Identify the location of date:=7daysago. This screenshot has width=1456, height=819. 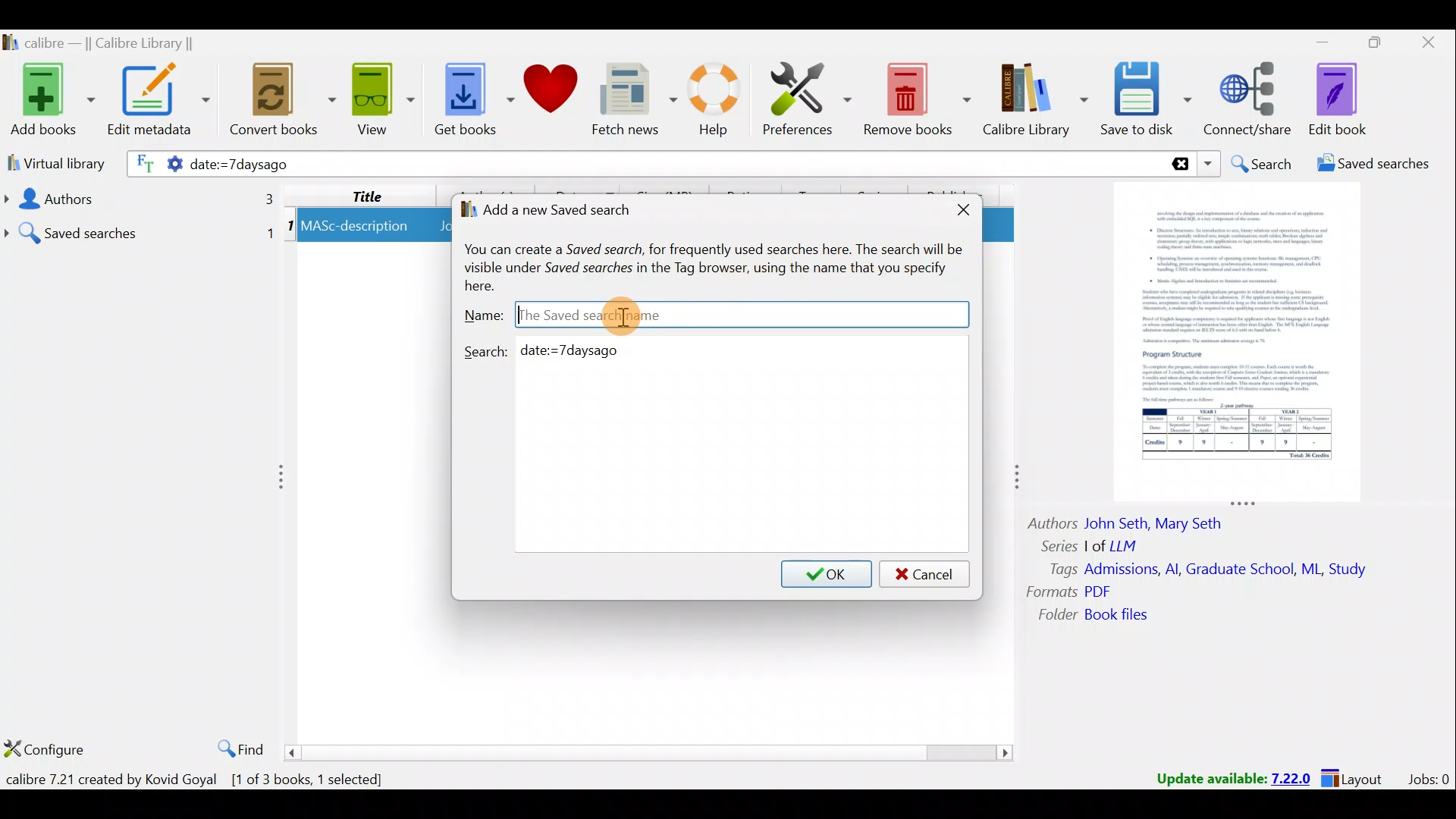
(578, 351).